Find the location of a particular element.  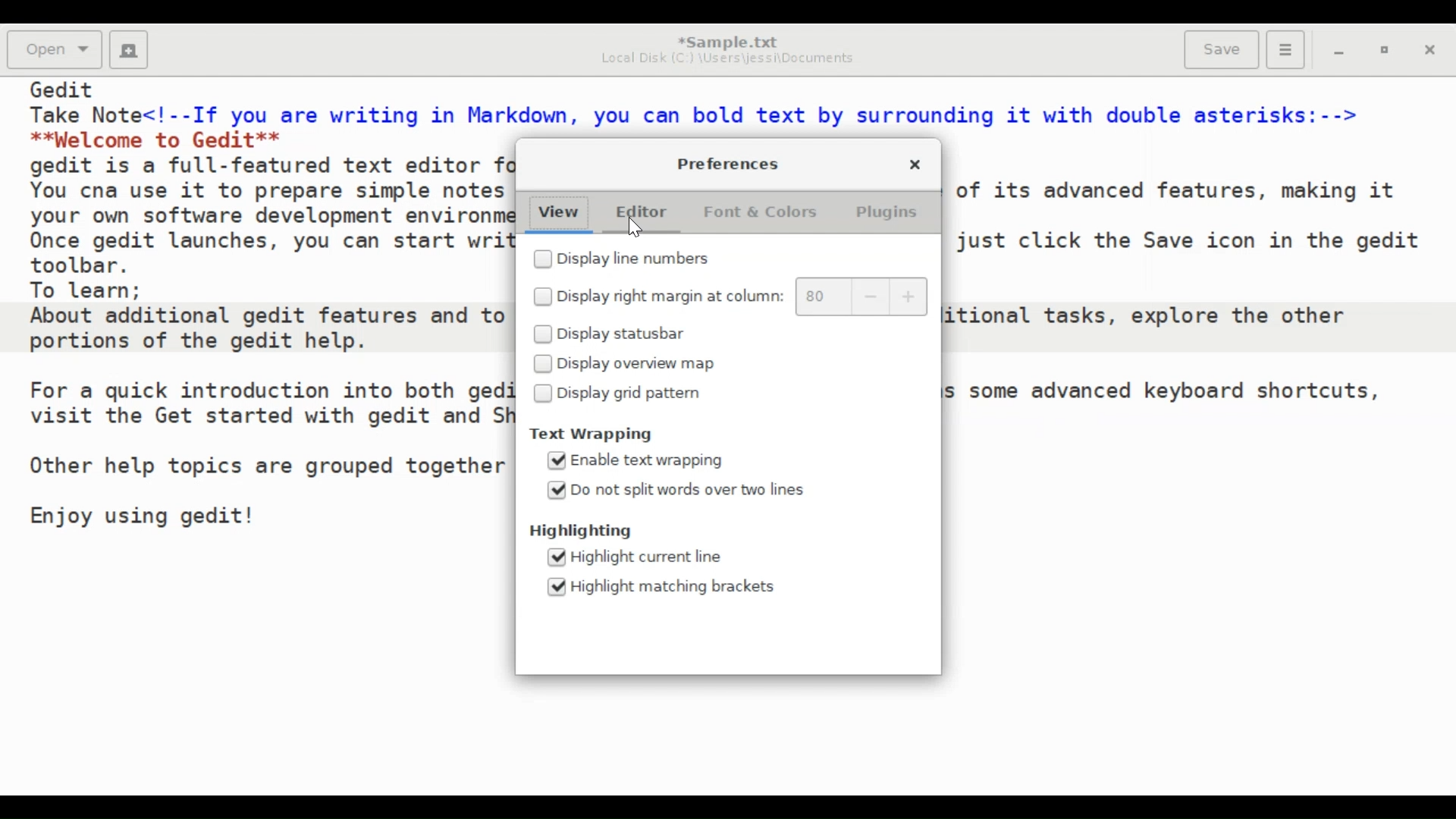

decrease is located at coordinates (874, 297).